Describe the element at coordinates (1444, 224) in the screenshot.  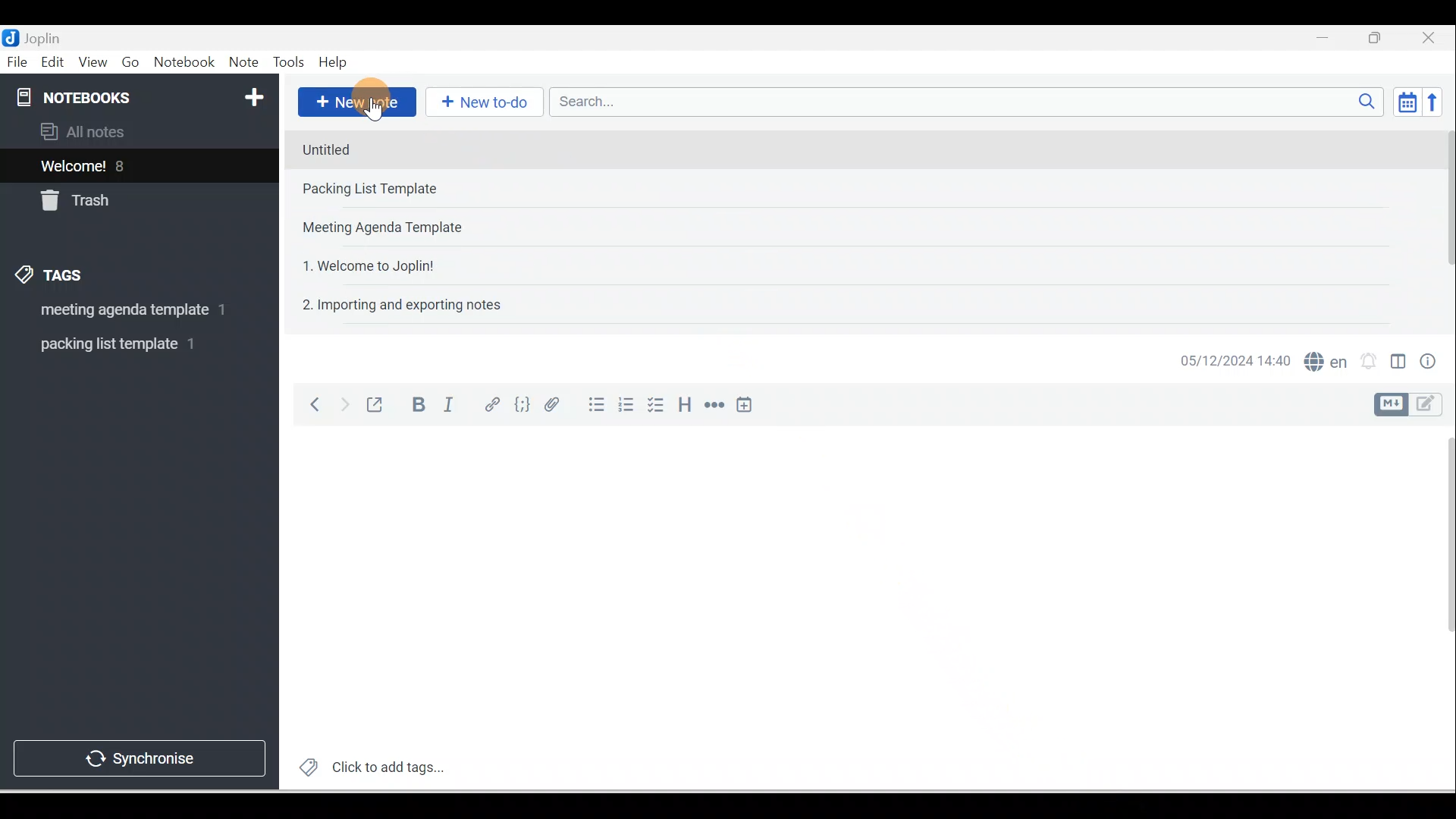
I see `Scroll bar` at that location.